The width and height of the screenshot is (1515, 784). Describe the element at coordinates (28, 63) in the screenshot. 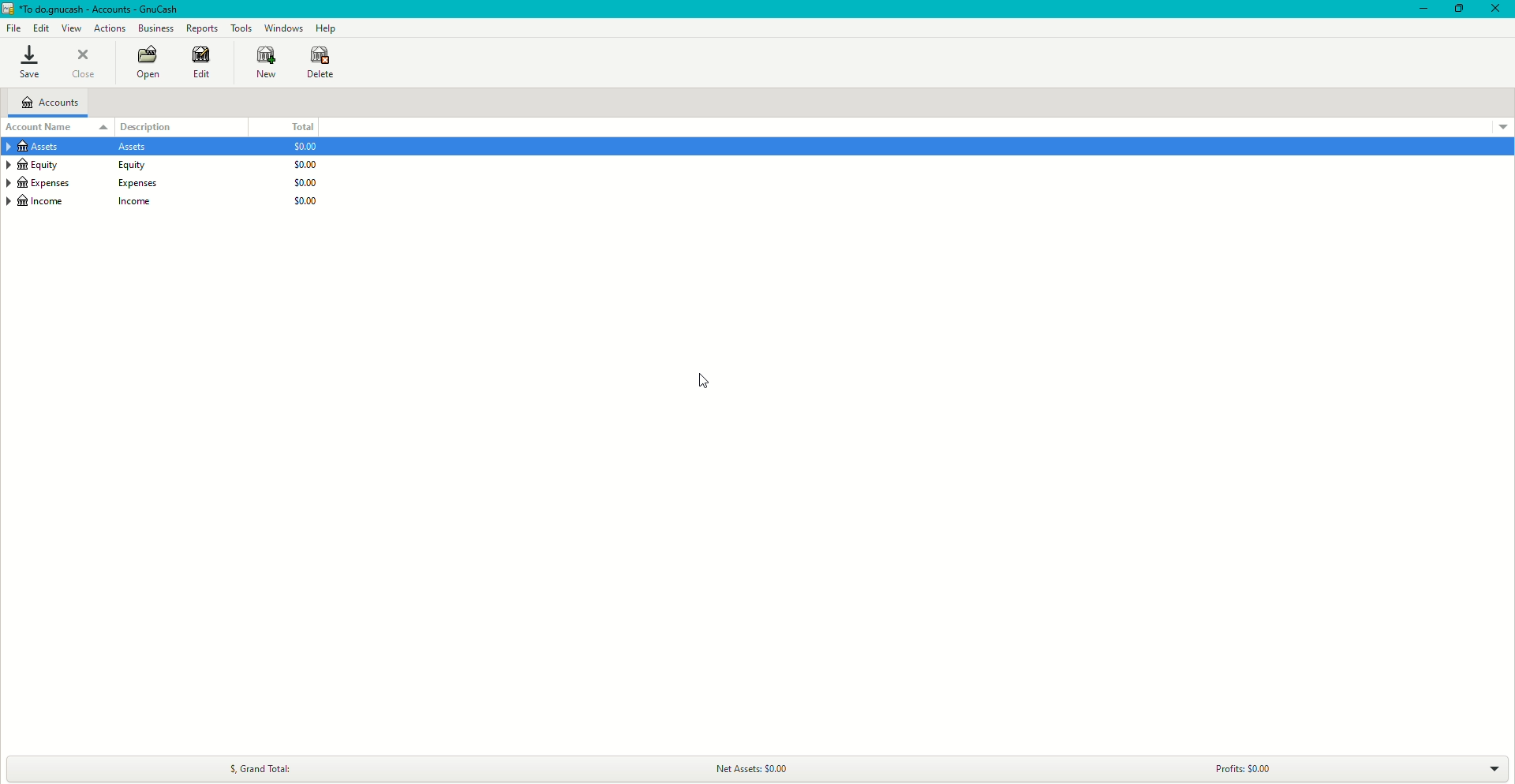

I see `Save` at that location.